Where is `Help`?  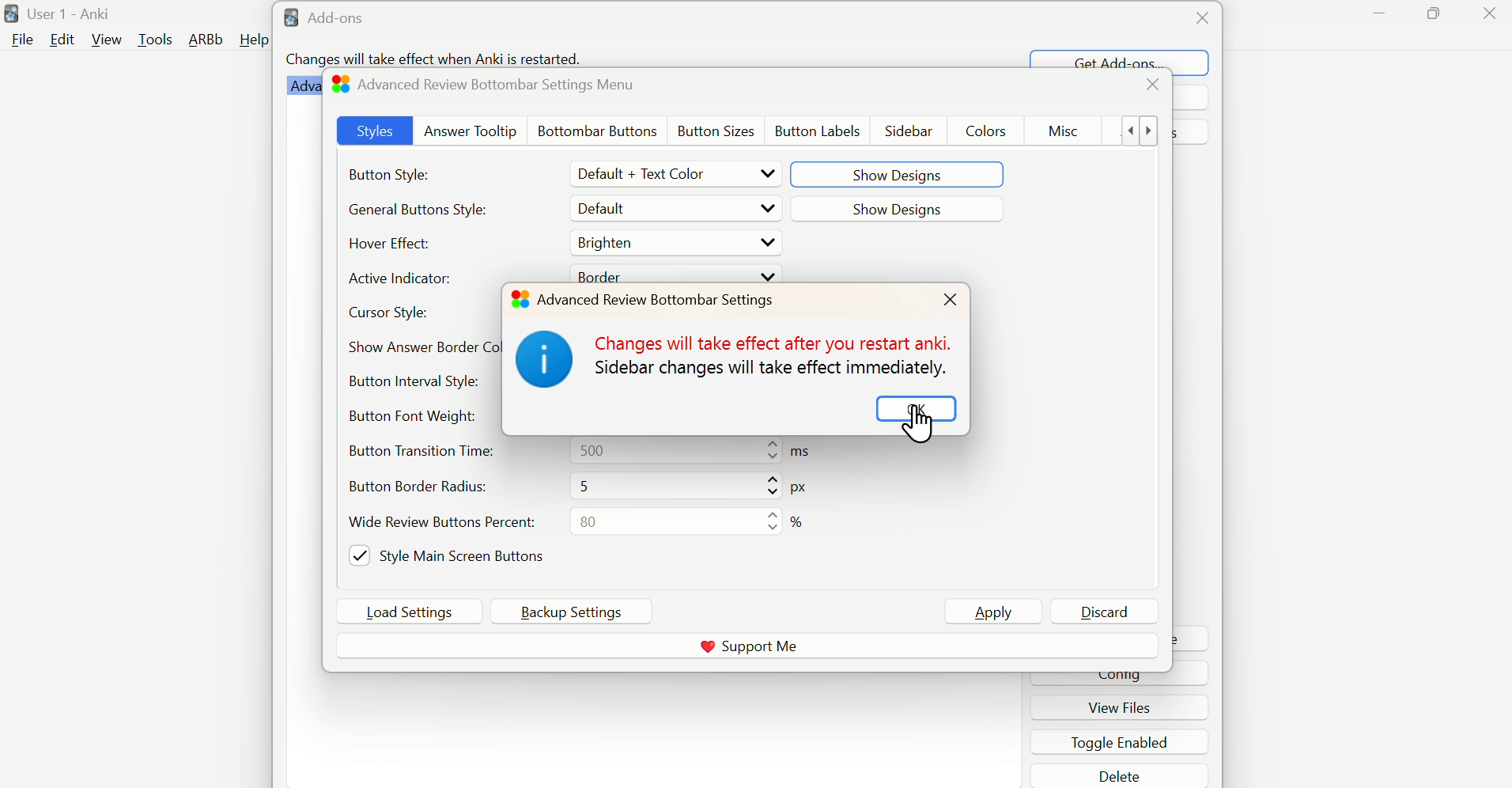 Help is located at coordinates (255, 40).